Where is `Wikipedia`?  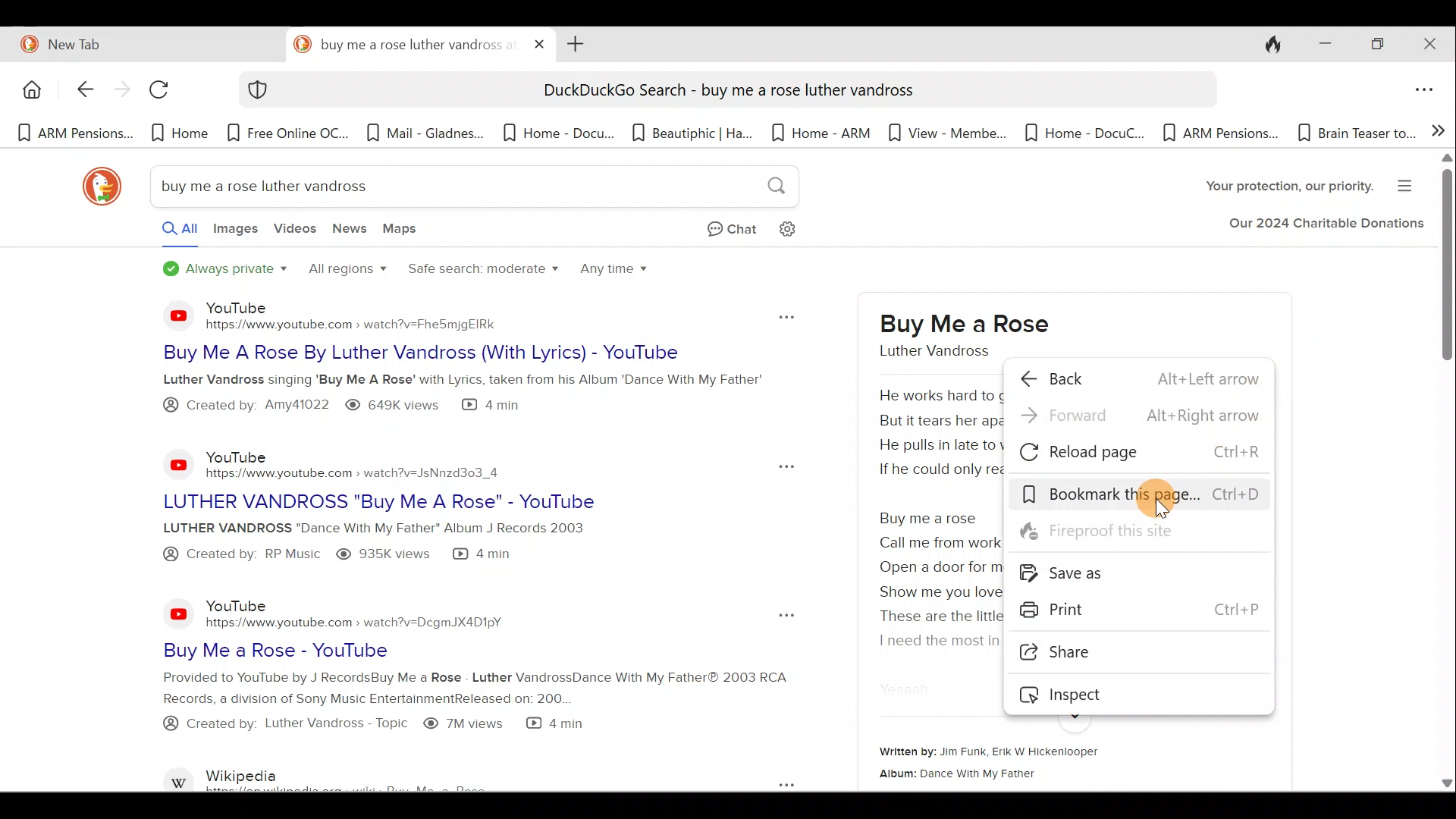
Wikipedia is located at coordinates (384, 777).